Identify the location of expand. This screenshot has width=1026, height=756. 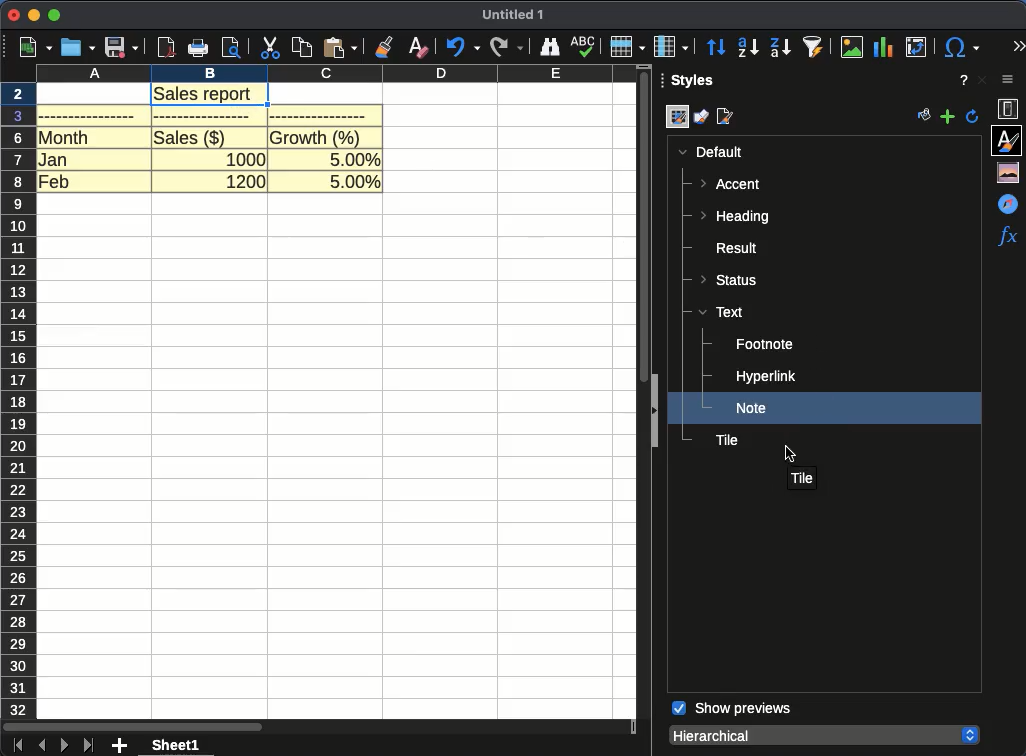
(1018, 47).